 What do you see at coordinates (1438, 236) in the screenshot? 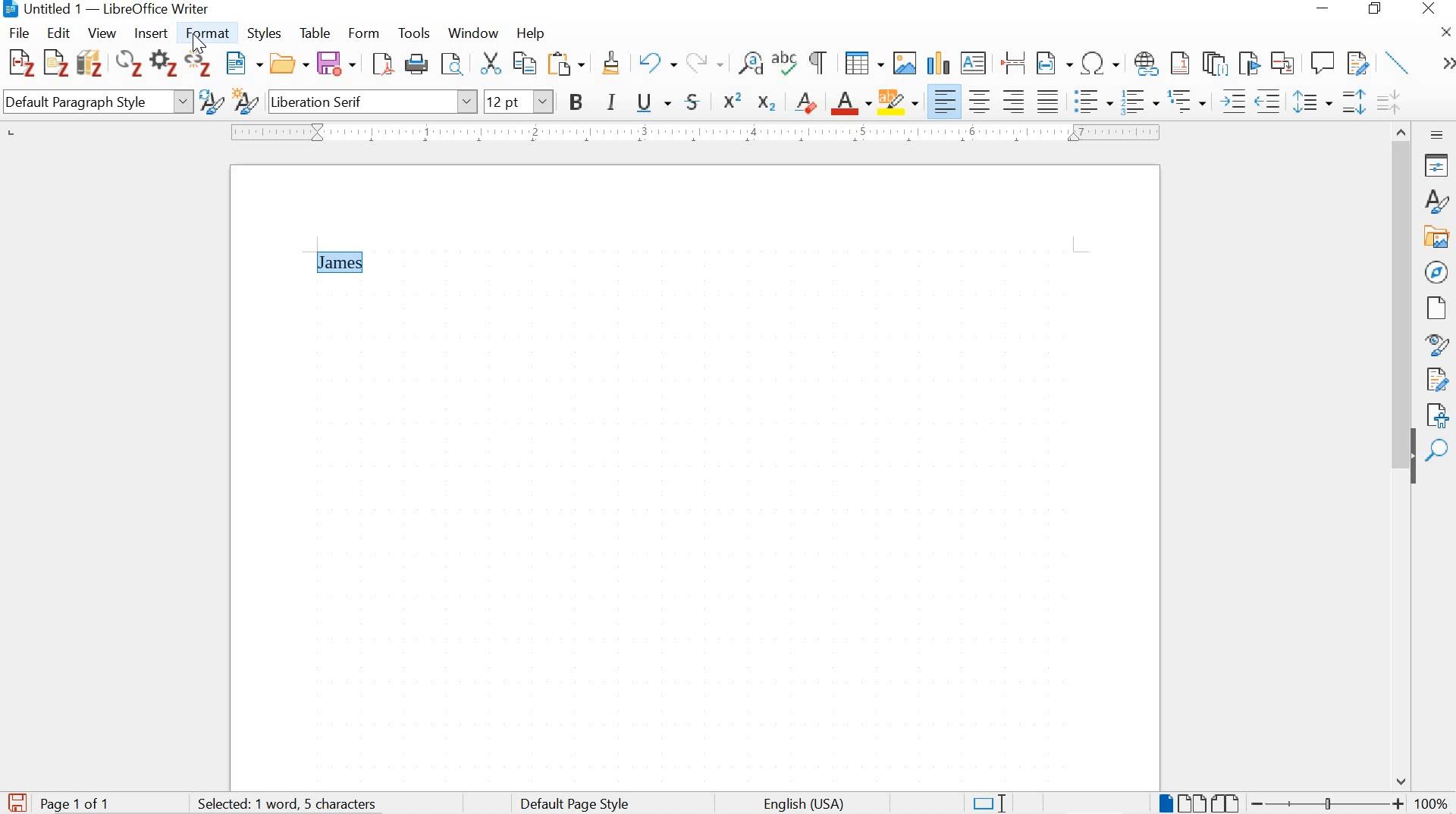
I see `gallery` at bounding box center [1438, 236].